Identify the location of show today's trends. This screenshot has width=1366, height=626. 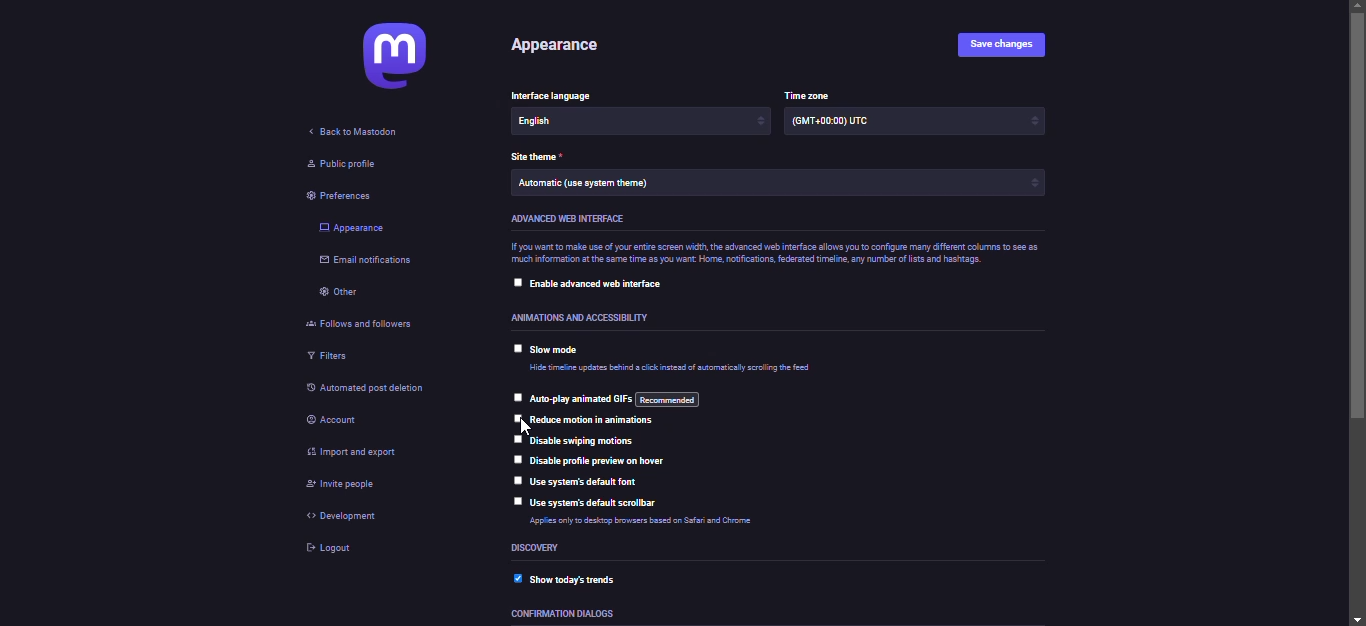
(574, 580).